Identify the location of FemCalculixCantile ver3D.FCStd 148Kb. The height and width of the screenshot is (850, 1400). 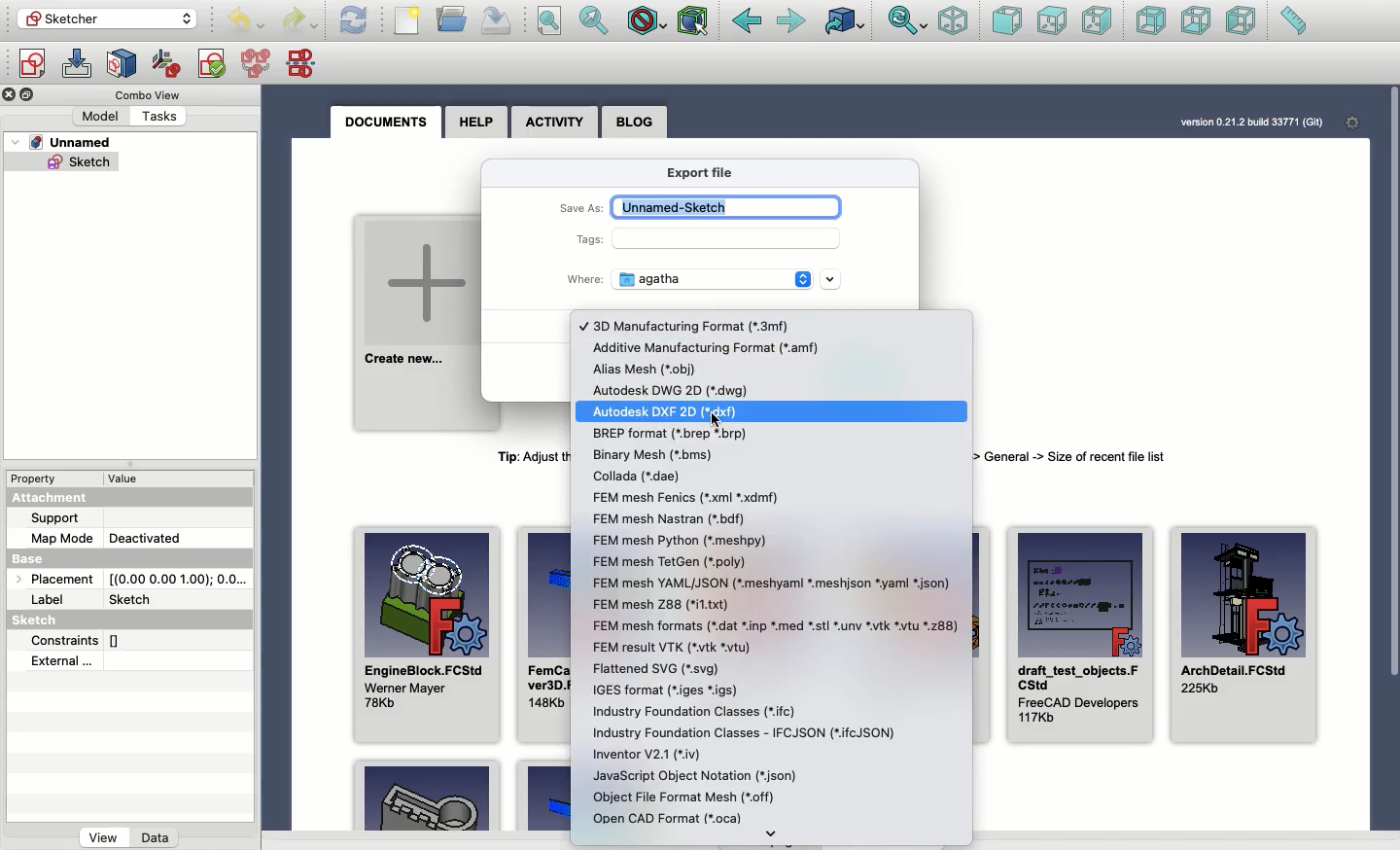
(542, 635).